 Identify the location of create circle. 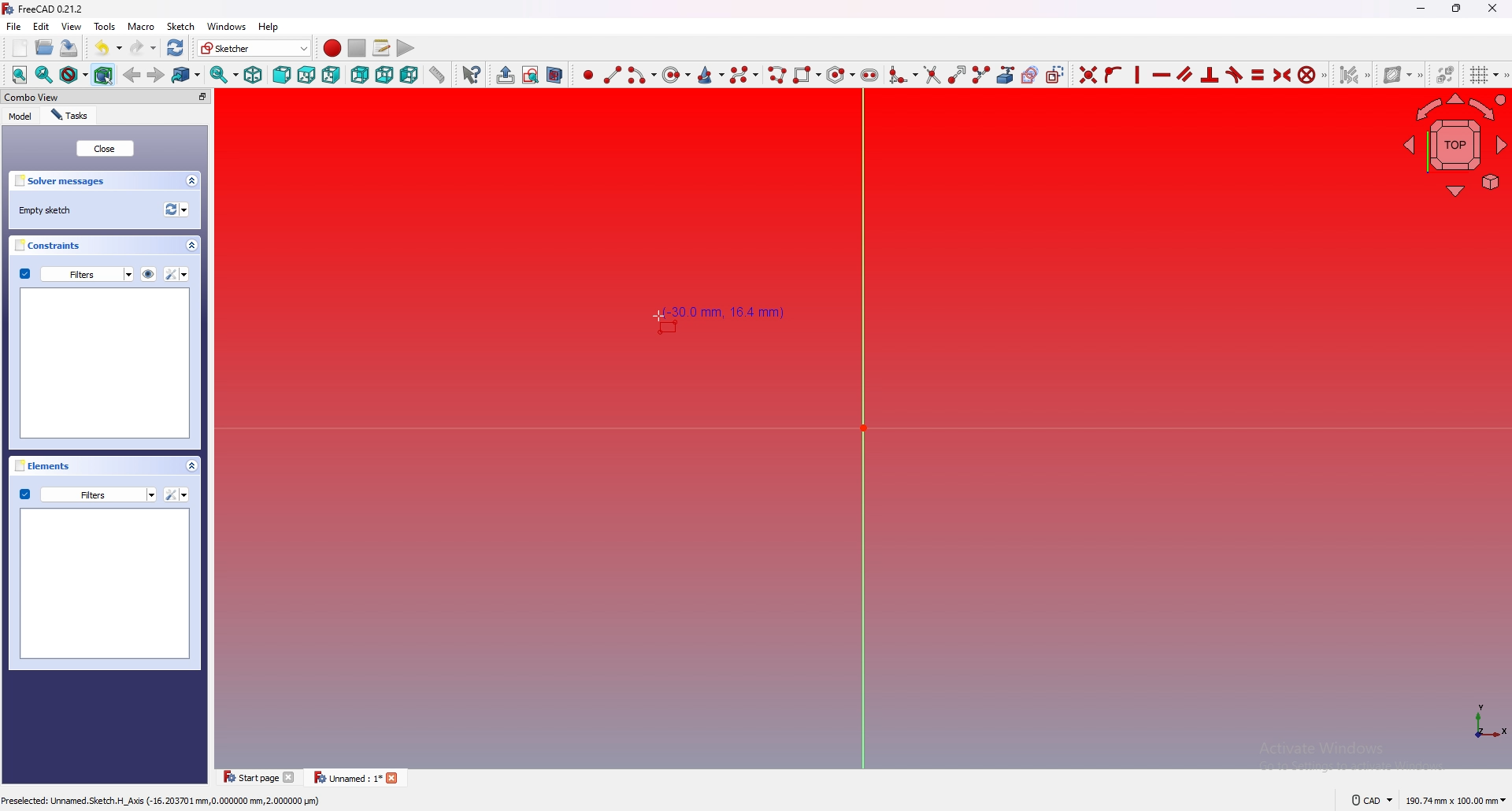
(676, 75).